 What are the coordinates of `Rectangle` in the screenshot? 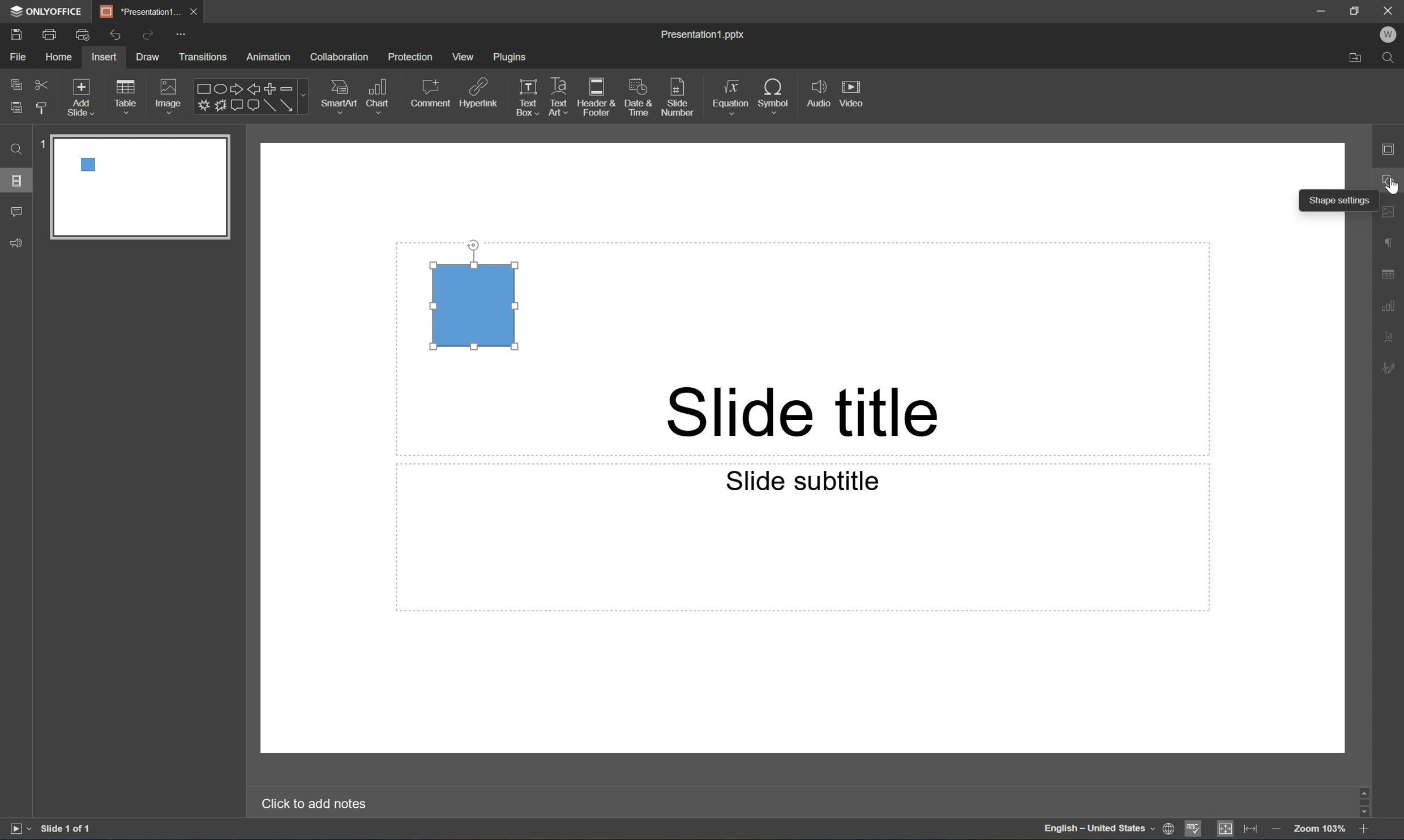 It's located at (474, 305).